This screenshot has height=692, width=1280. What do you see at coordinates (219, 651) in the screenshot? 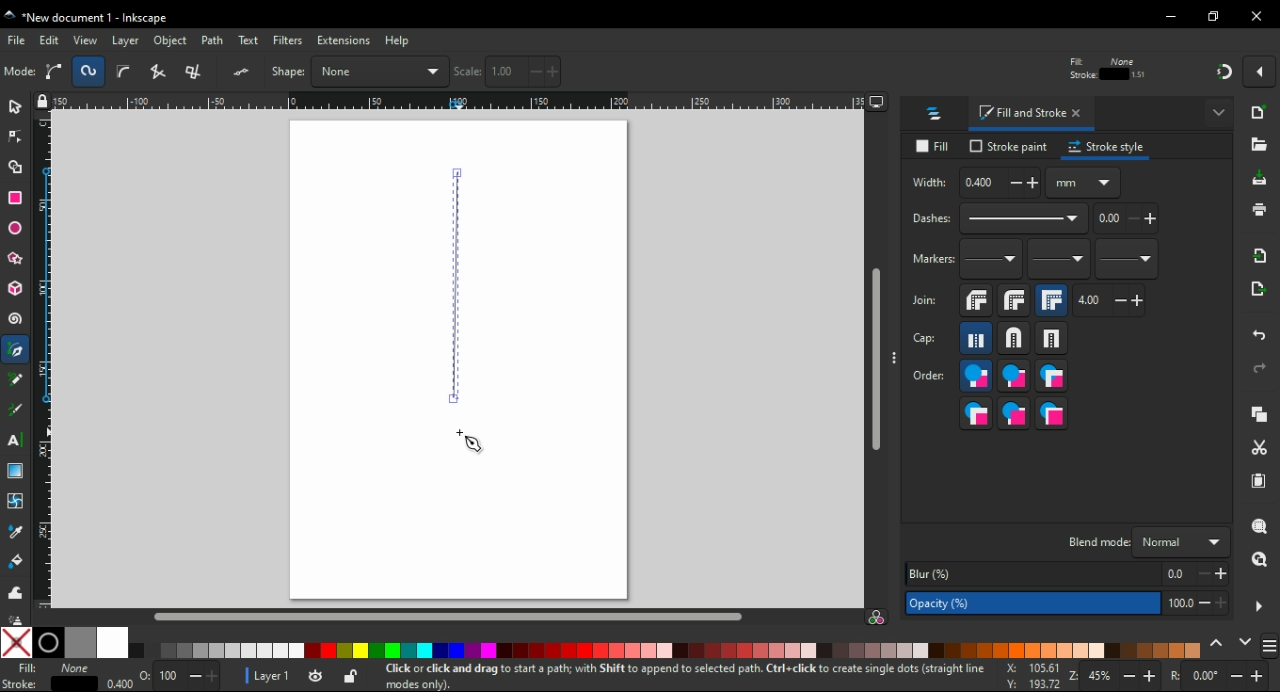
I see `color tone pallete` at bounding box center [219, 651].